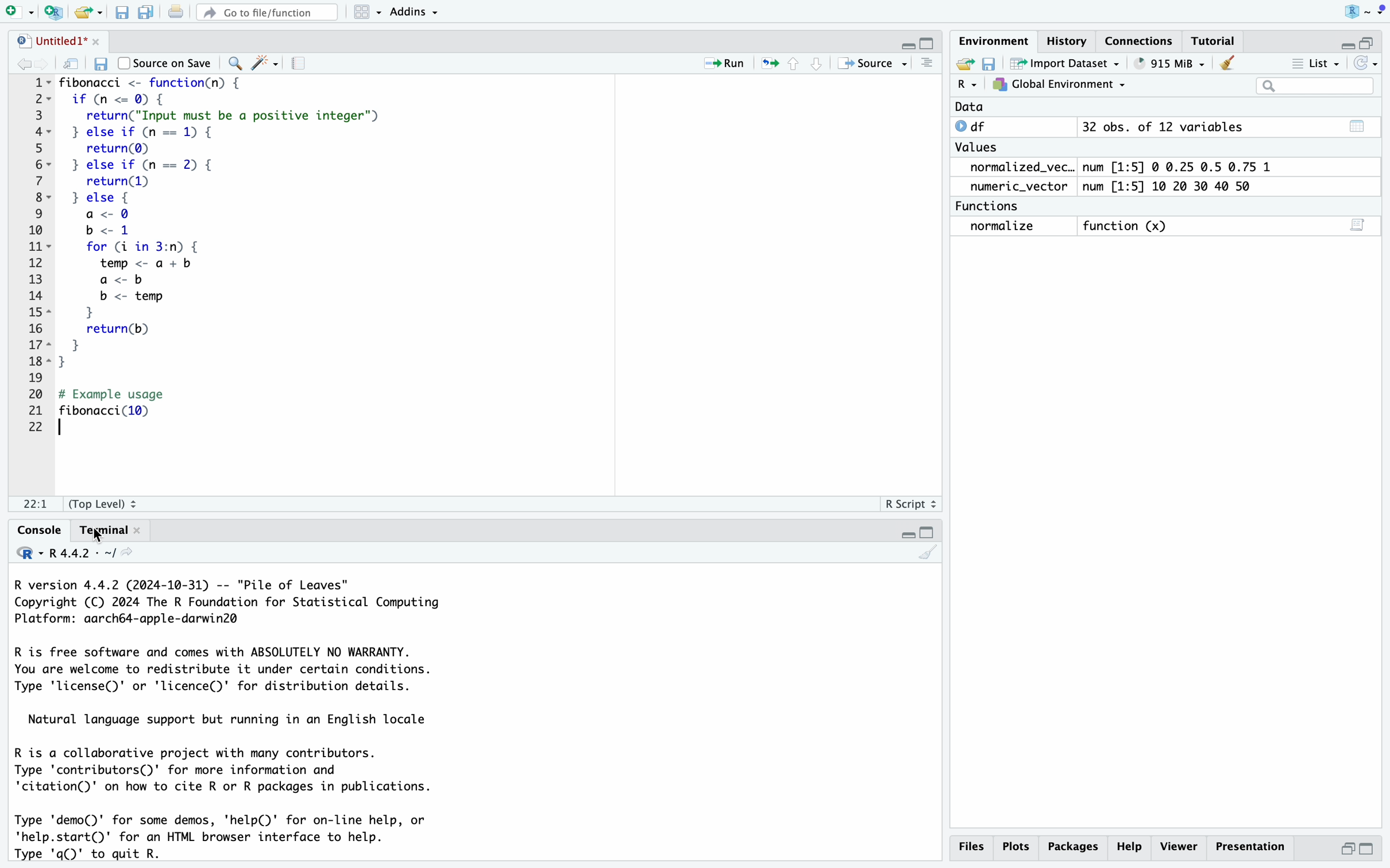 This screenshot has width=1390, height=868. I want to click on addins, so click(416, 12).